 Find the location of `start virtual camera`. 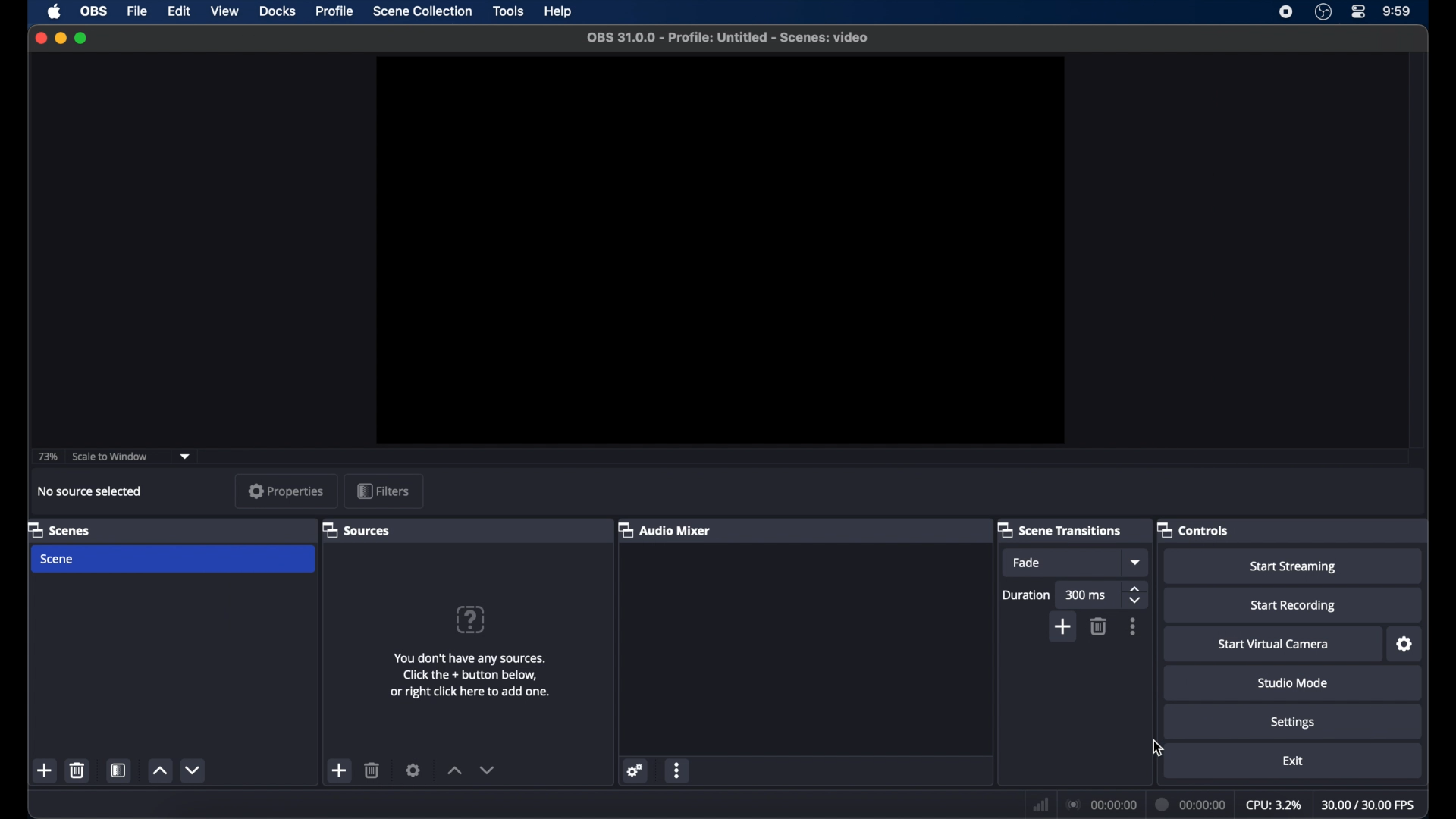

start virtual camera is located at coordinates (1274, 645).